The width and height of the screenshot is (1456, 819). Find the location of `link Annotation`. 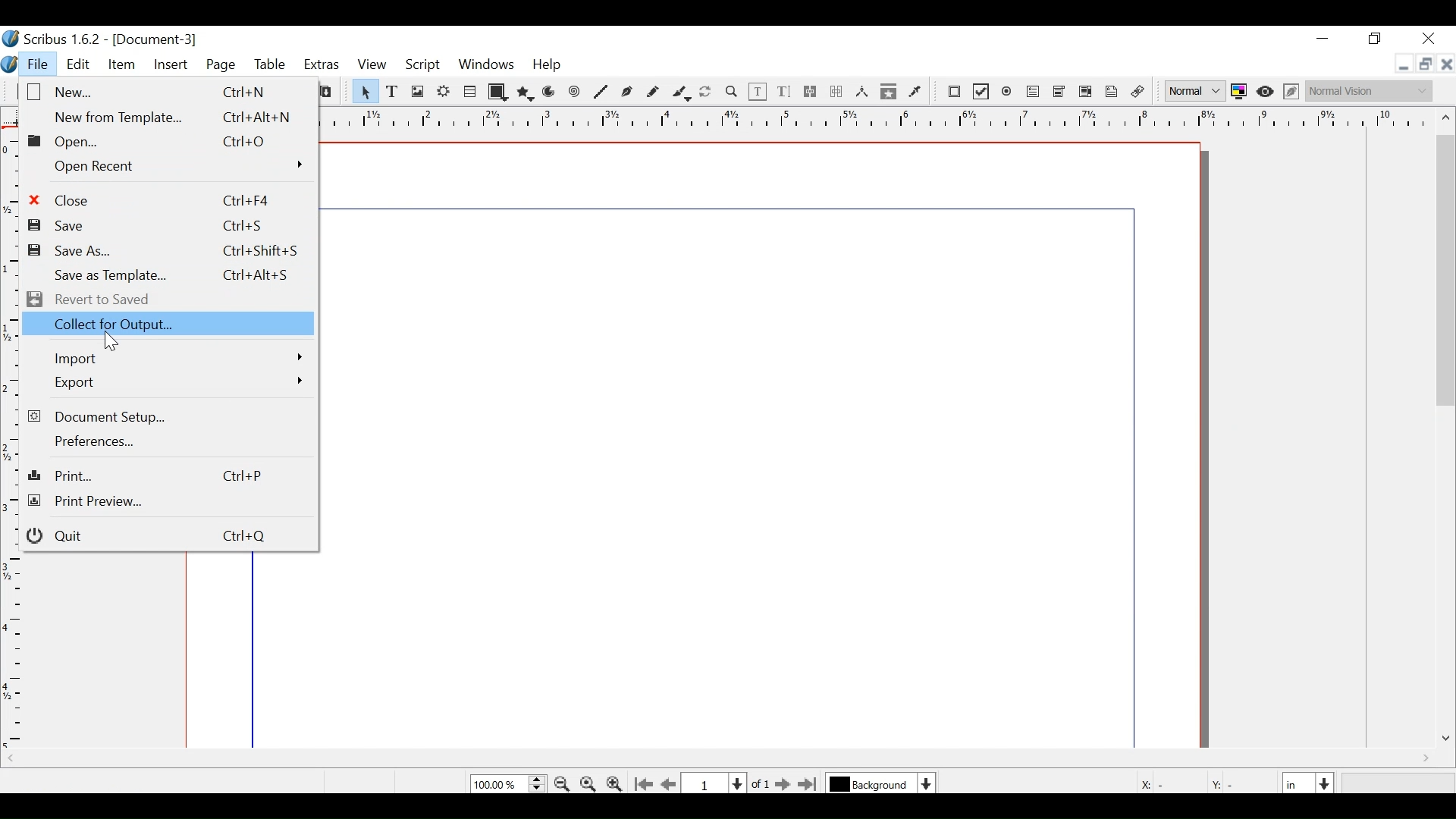

link Annotation is located at coordinates (1112, 93).